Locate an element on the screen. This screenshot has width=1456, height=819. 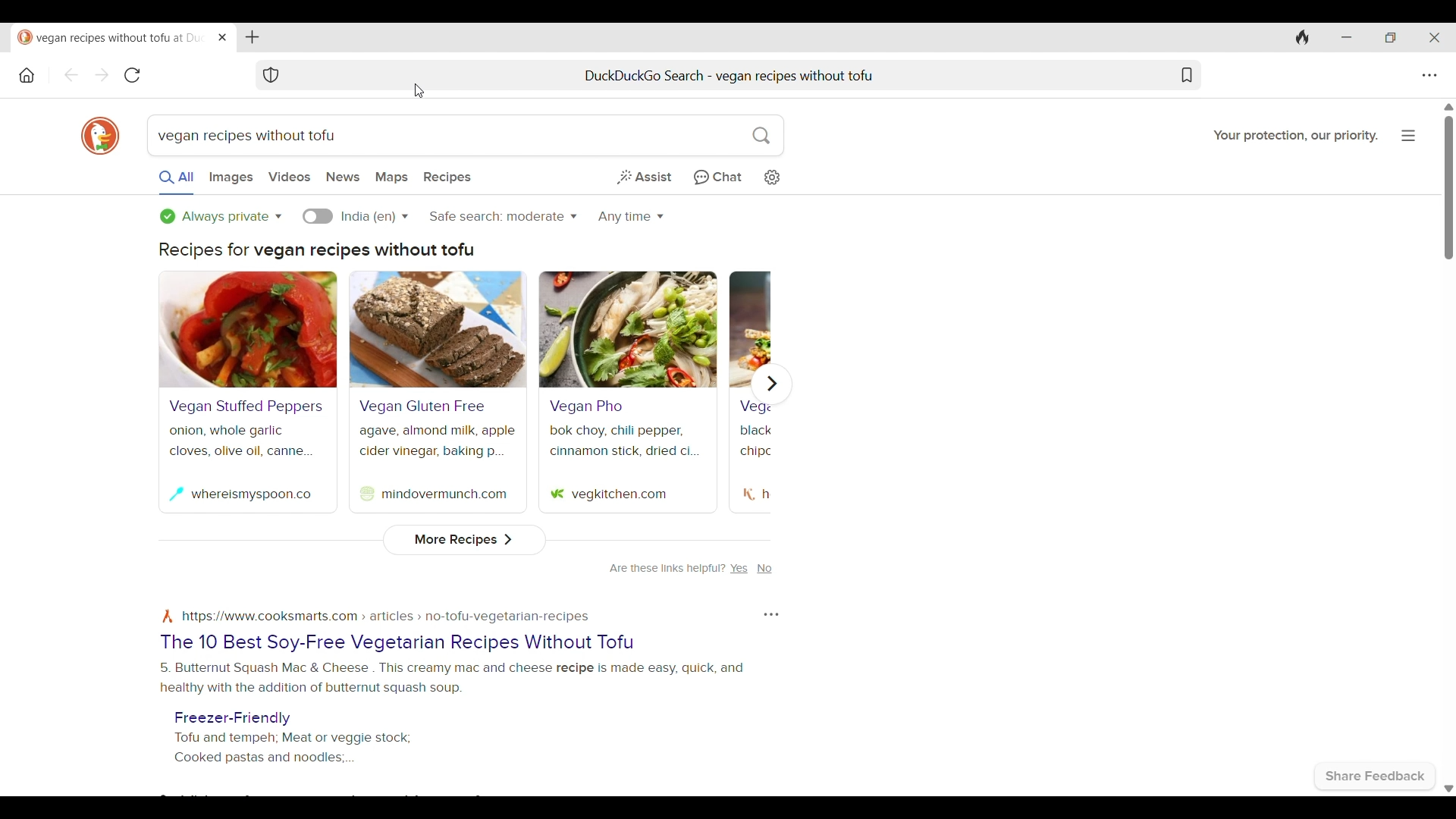
Search images is located at coordinates (231, 178).